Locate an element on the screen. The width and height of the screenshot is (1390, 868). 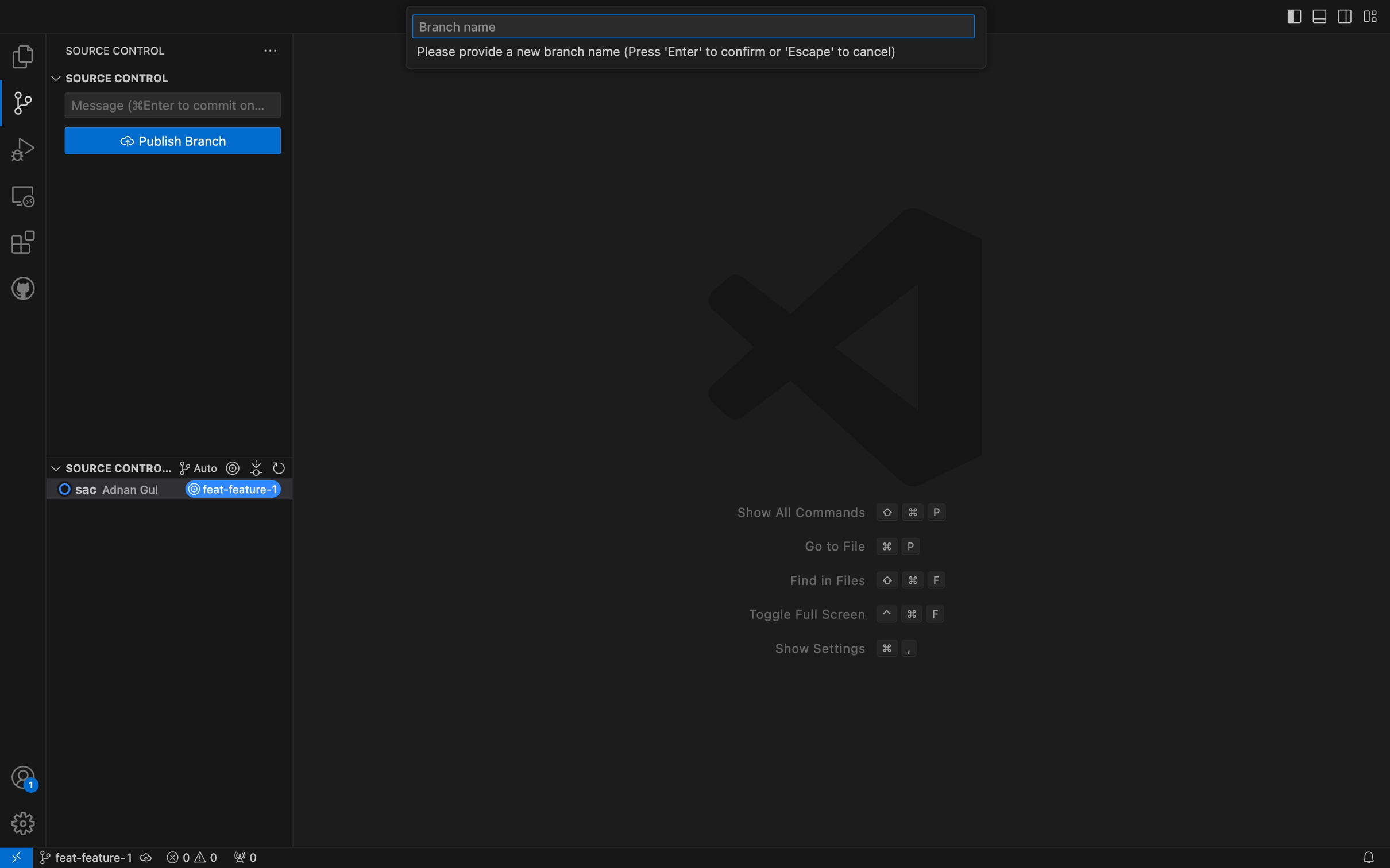
Source control is located at coordinates (107, 67).